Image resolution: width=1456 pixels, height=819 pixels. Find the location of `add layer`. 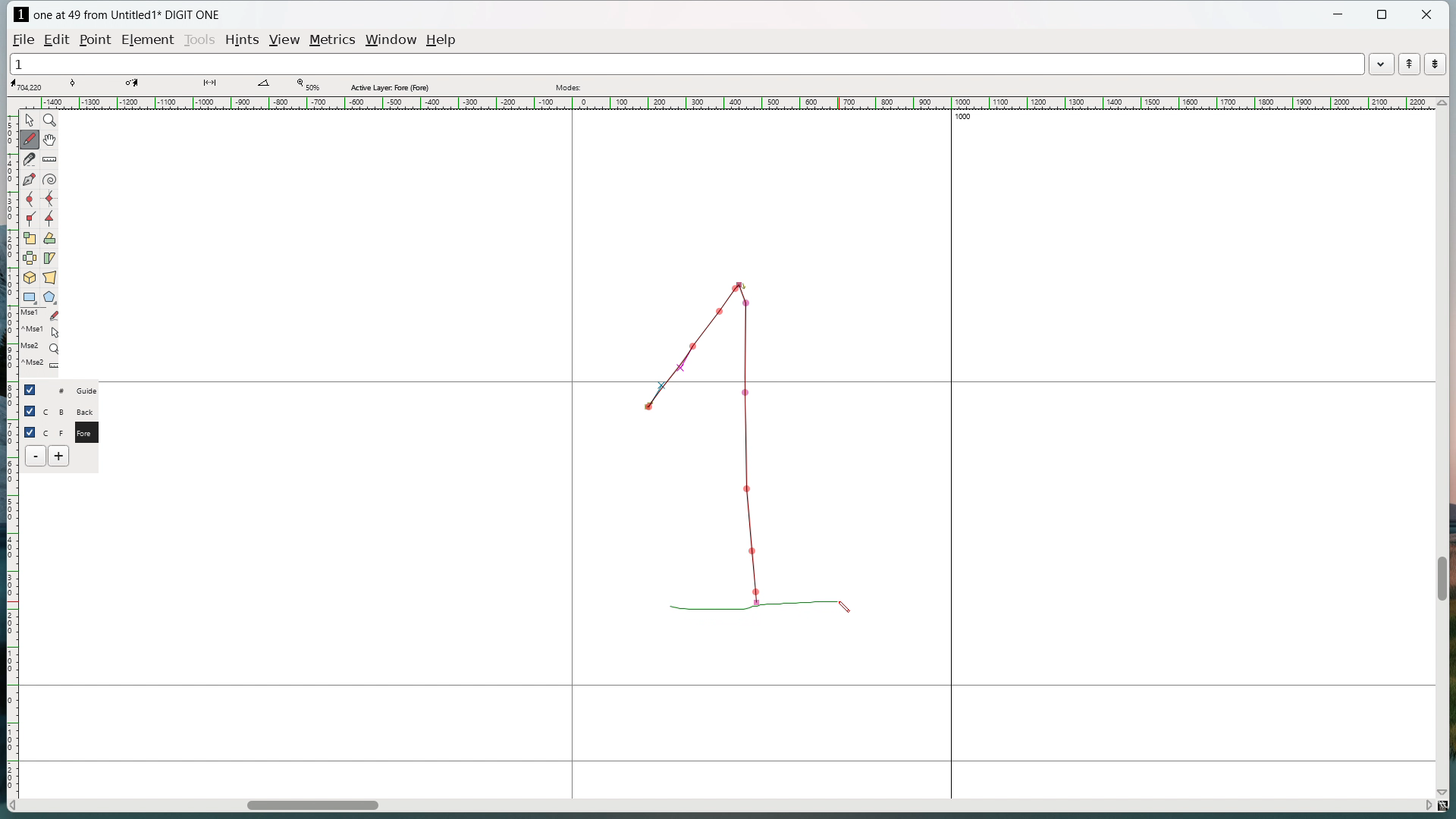

add layer is located at coordinates (60, 456).